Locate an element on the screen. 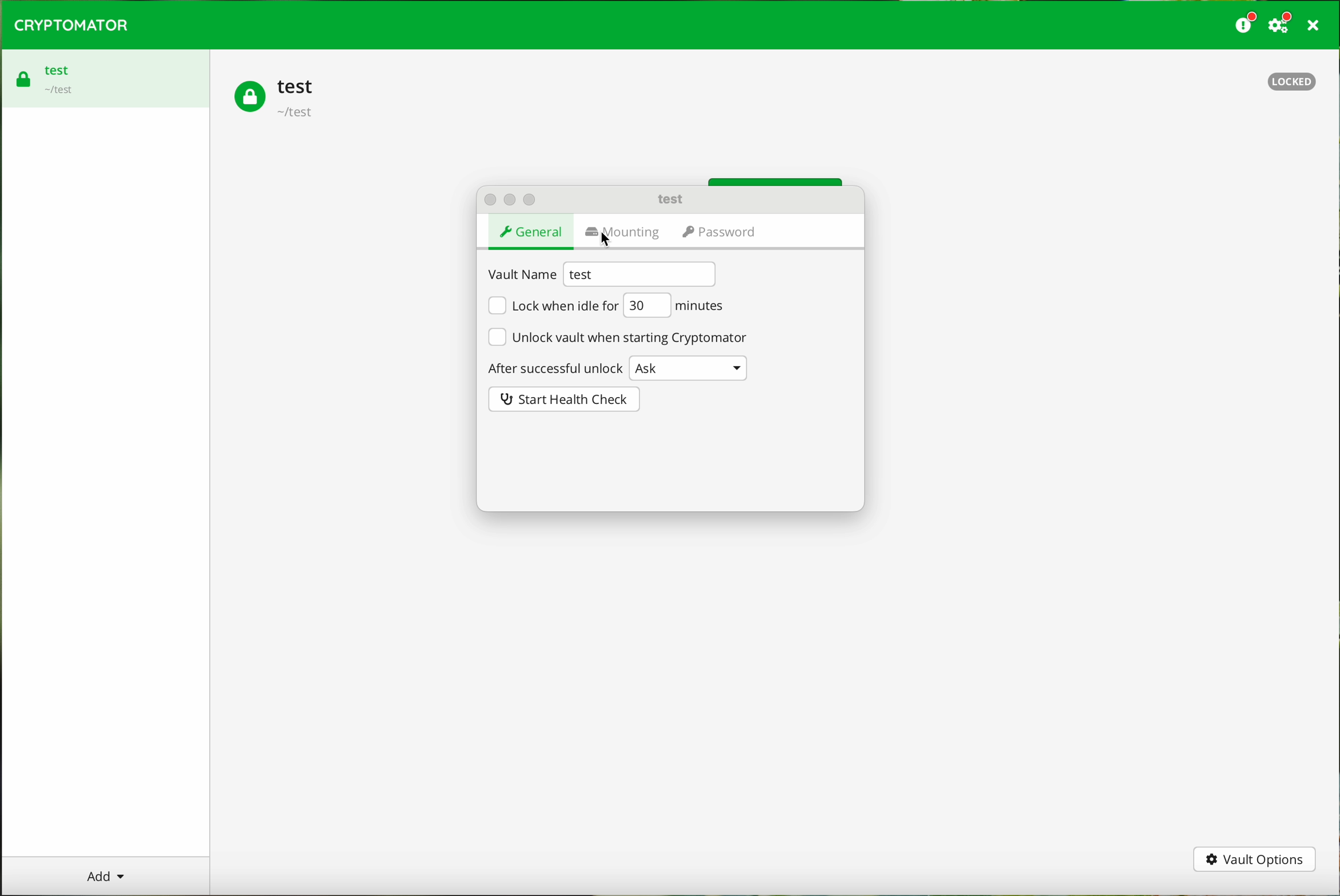  vault name is located at coordinates (523, 273).